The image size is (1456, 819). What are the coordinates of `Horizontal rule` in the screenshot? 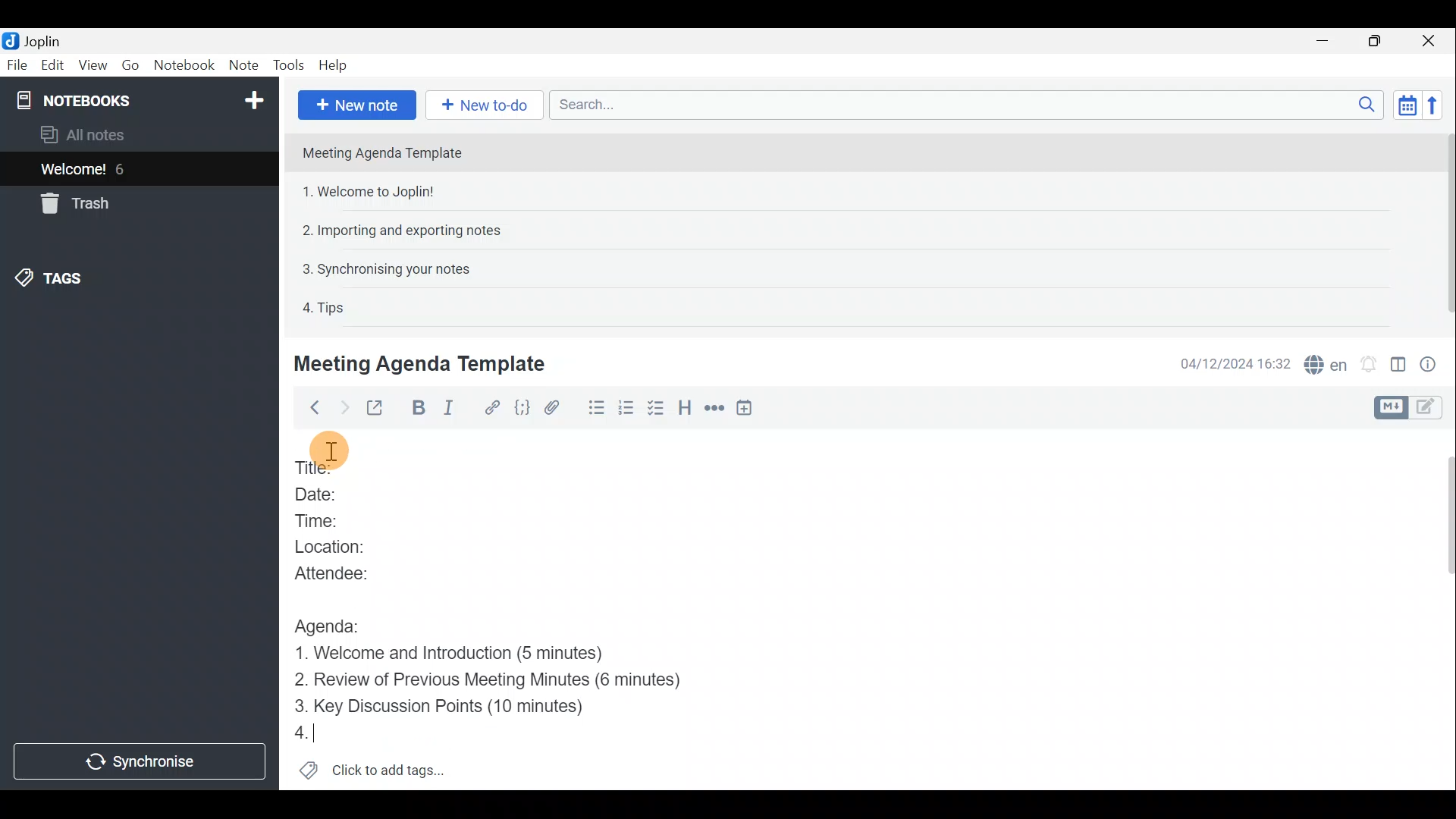 It's located at (714, 410).